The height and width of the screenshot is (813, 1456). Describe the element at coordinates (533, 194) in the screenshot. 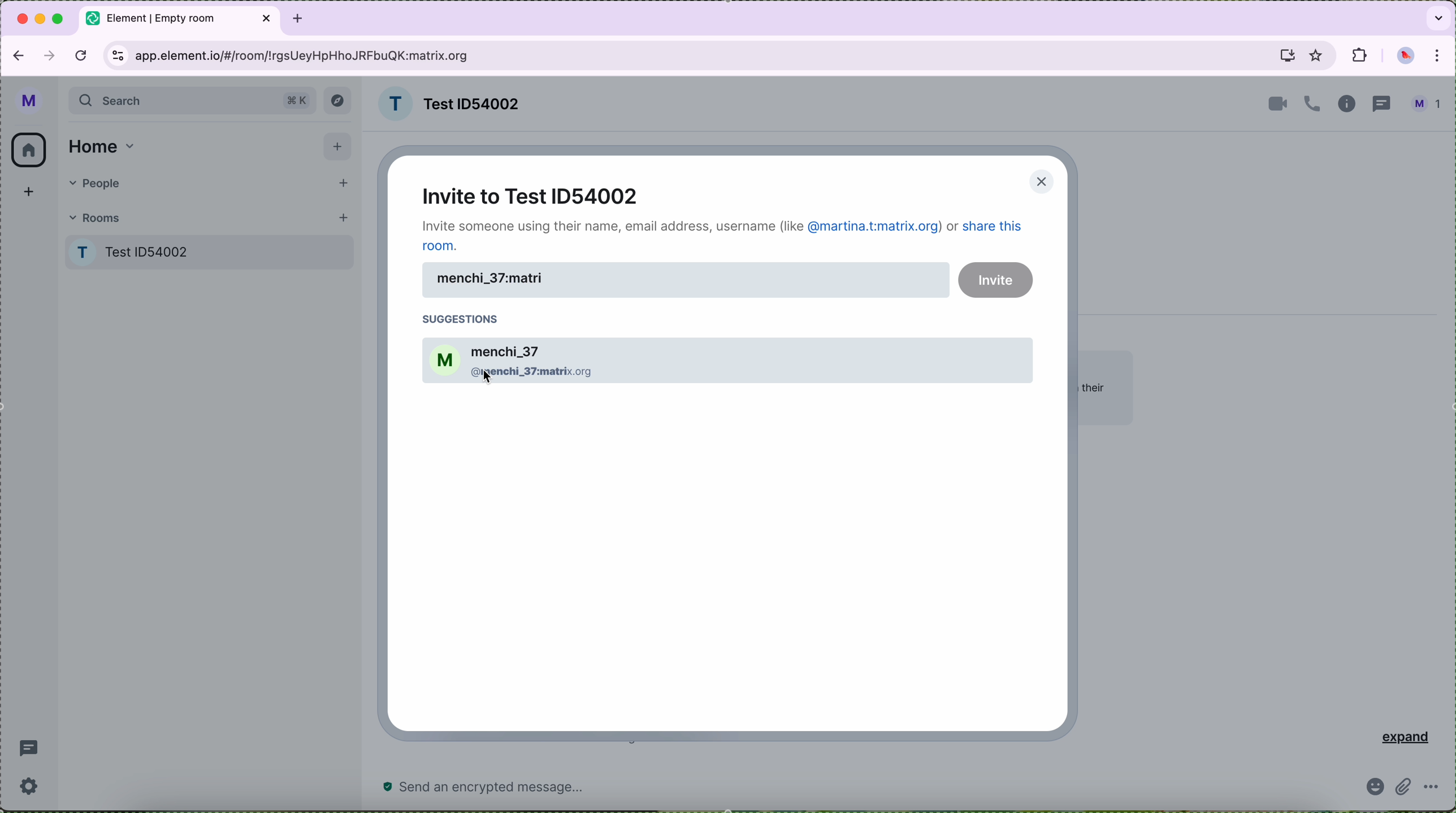

I see `invite to test ID` at that location.